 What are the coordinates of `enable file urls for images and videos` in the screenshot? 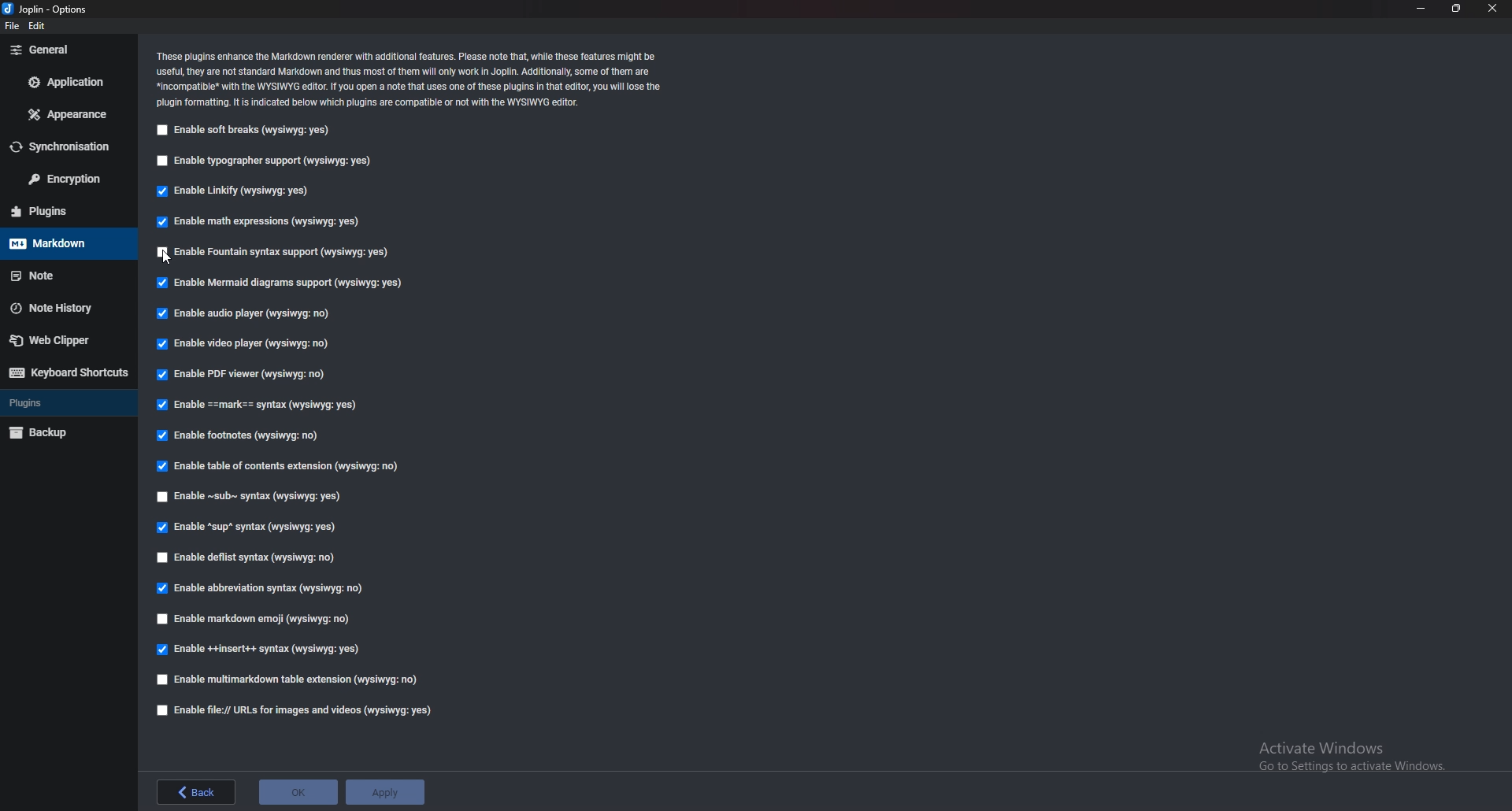 It's located at (295, 711).